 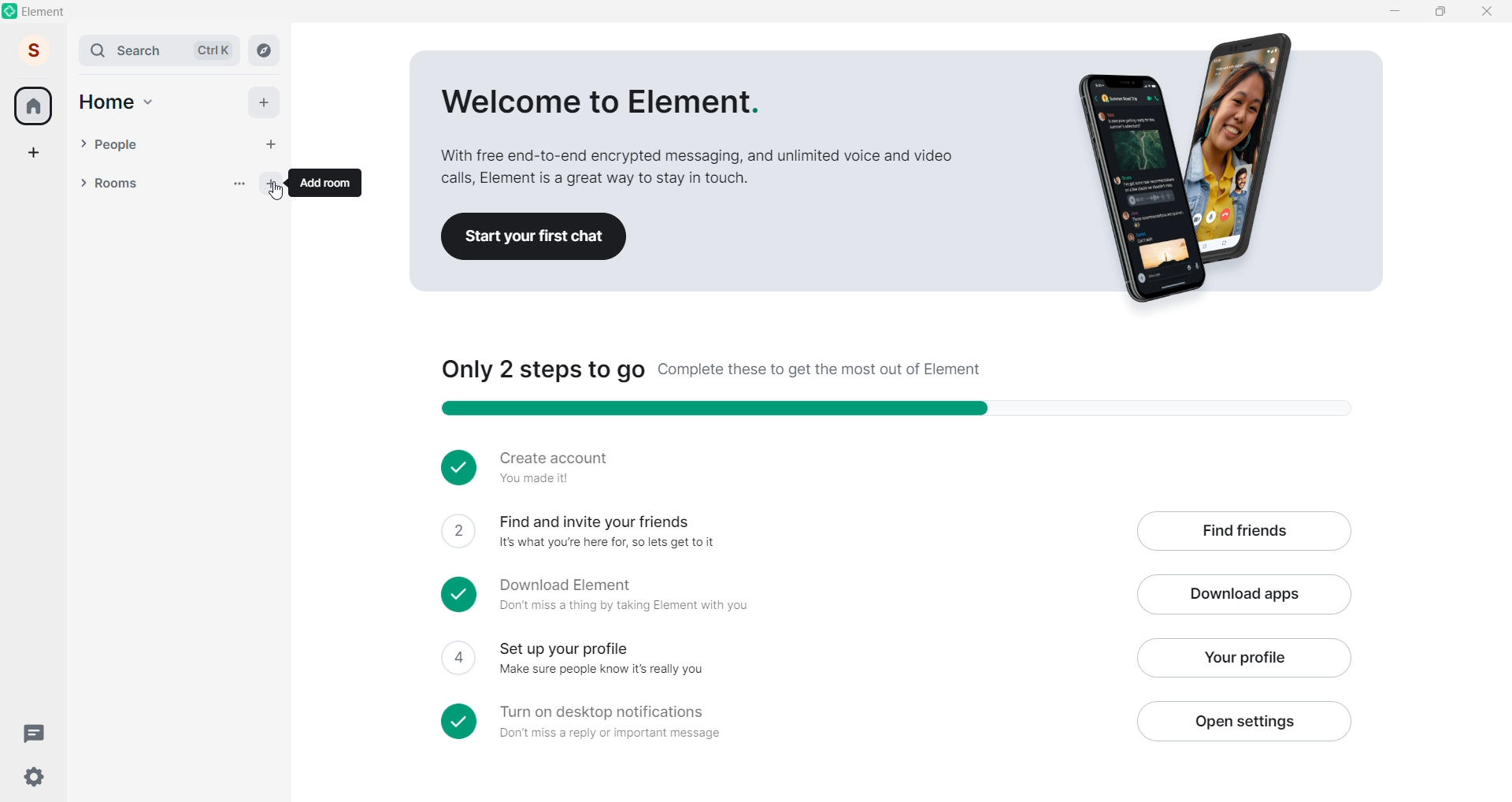 I want to click on Start your first chat, so click(x=535, y=235).